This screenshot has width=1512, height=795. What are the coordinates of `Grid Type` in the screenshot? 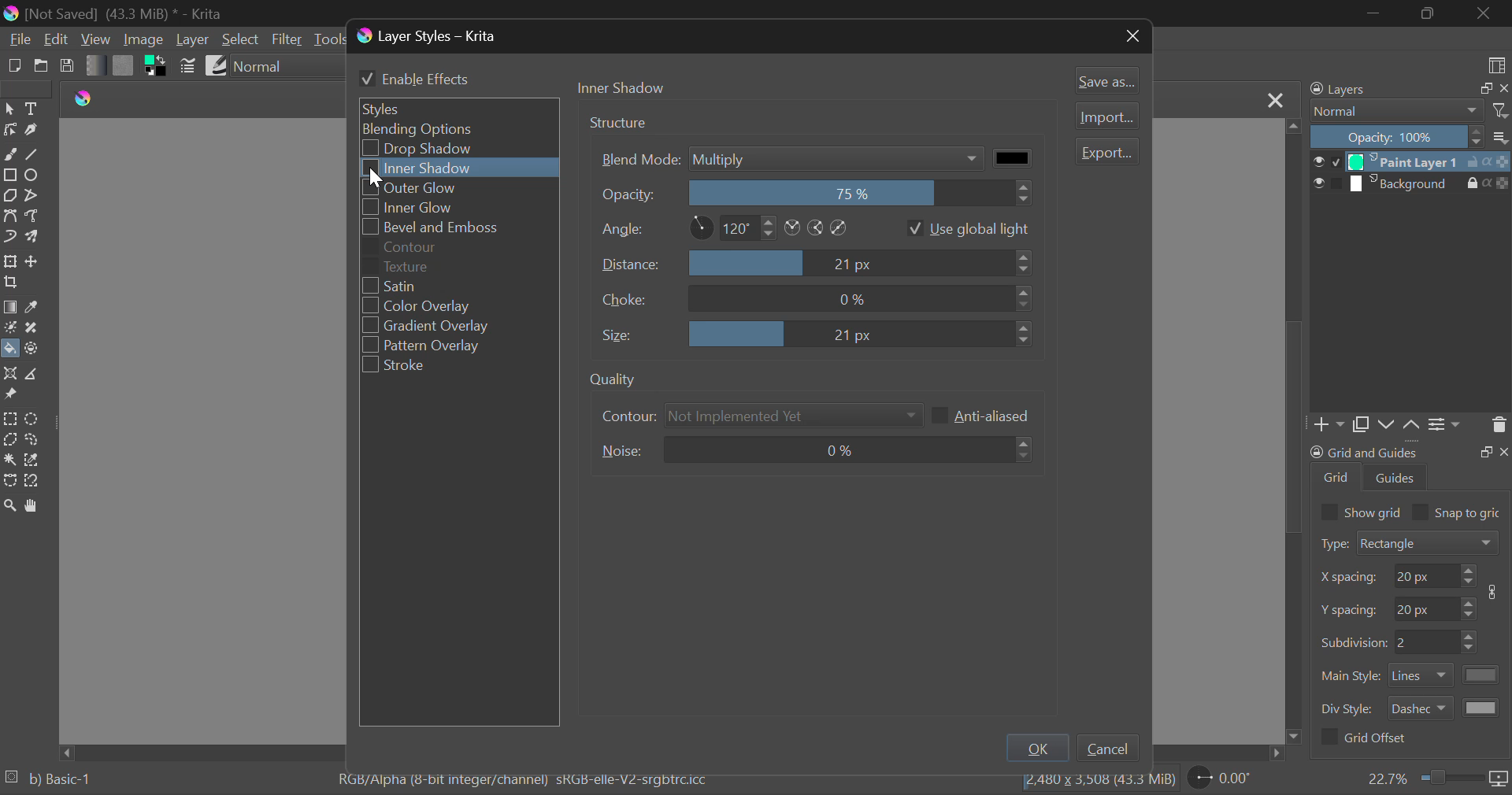 It's located at (1411, 545).